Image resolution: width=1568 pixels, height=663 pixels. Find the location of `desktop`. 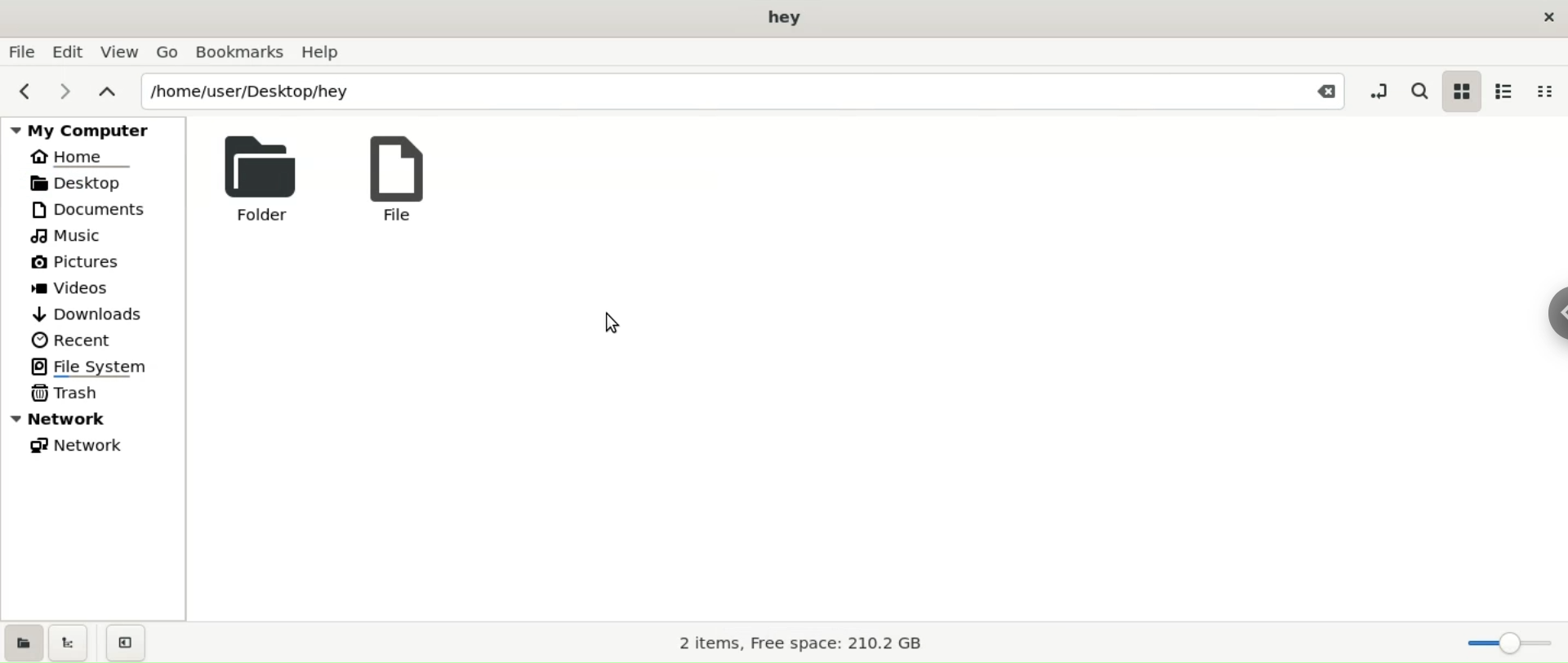

desktop is located at coordinates (87, 181).